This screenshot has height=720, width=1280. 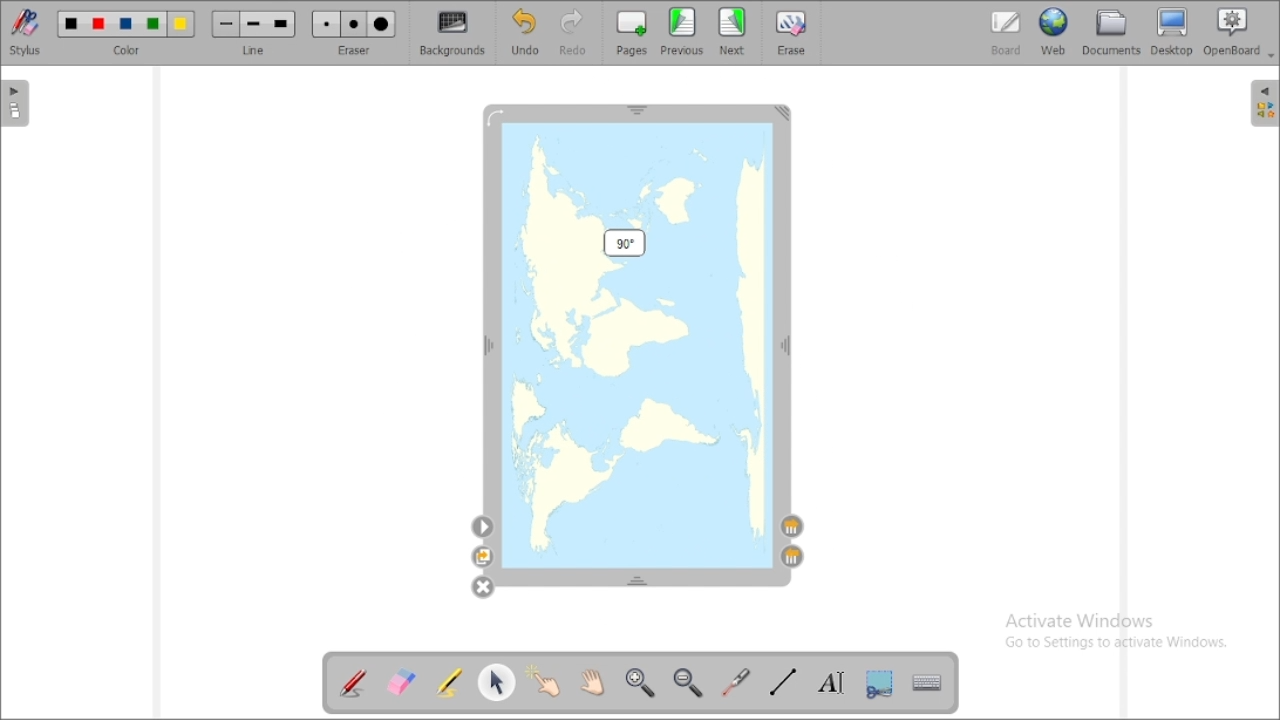 What do you see at coordinates (689, 682) in the screenshot?
I see `zoom out` at bounding box center [689, 682].